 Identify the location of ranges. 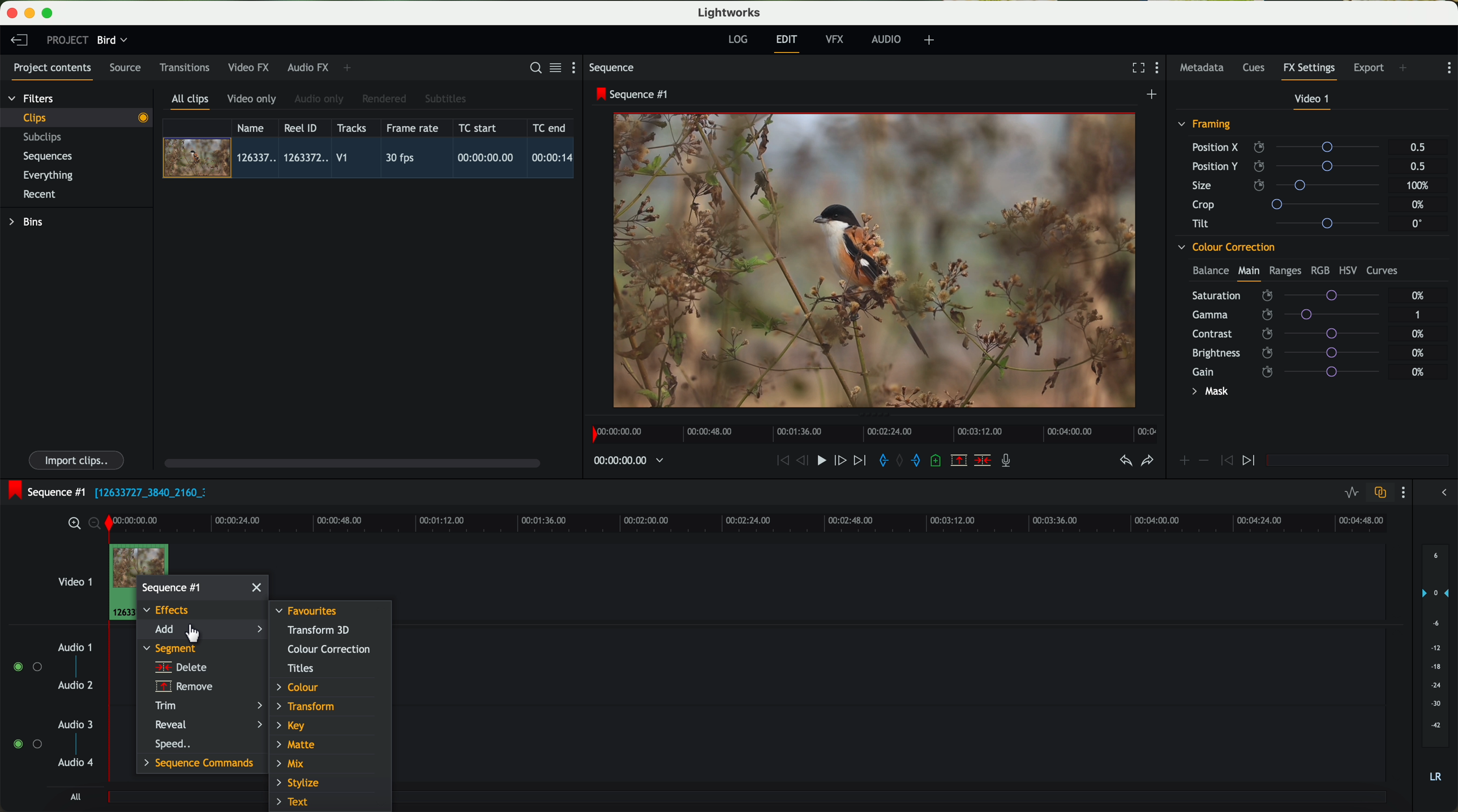
(1285, 270).